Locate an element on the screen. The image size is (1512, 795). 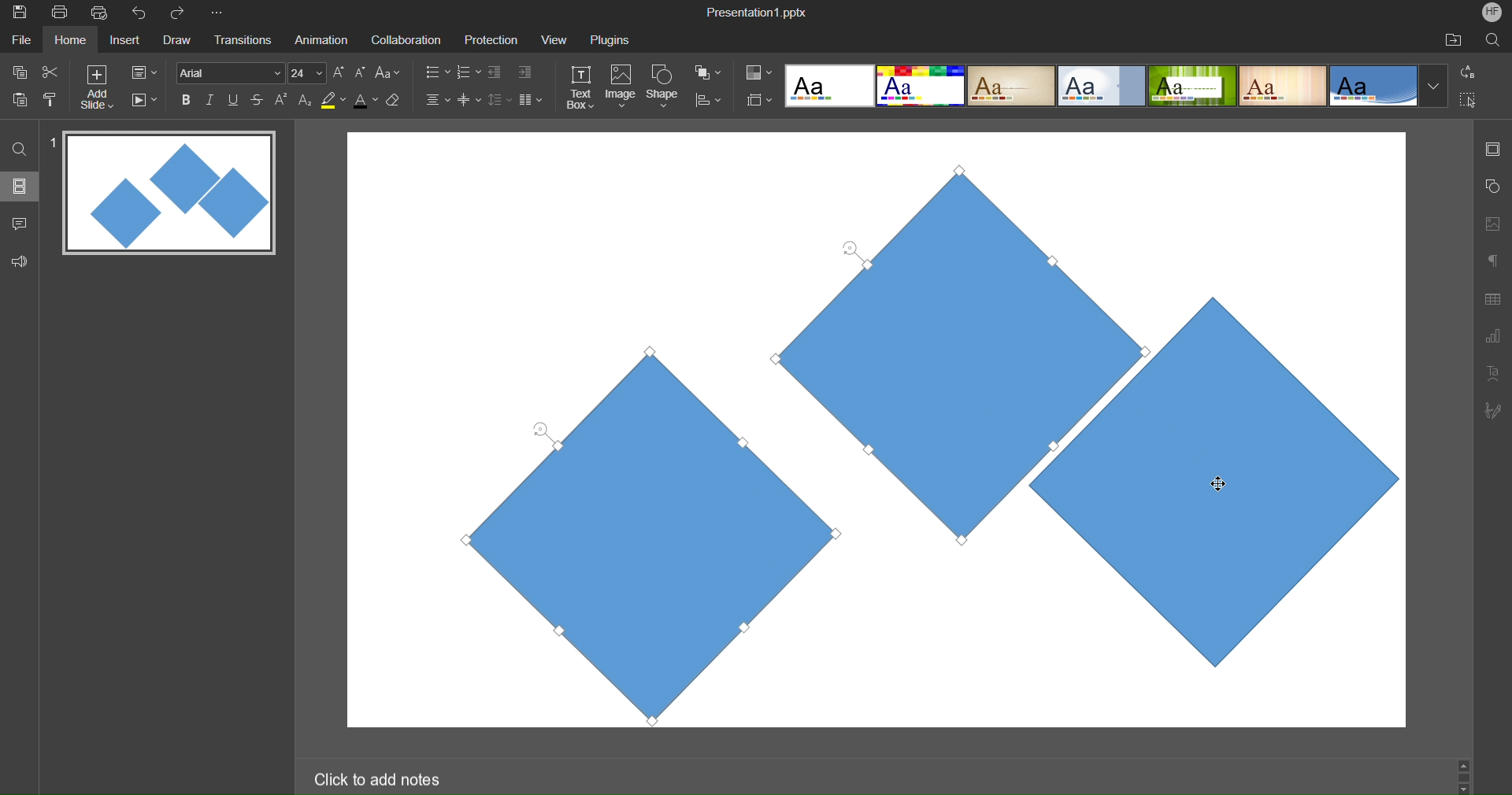
Text Art is located at coordinates (1493, 372).